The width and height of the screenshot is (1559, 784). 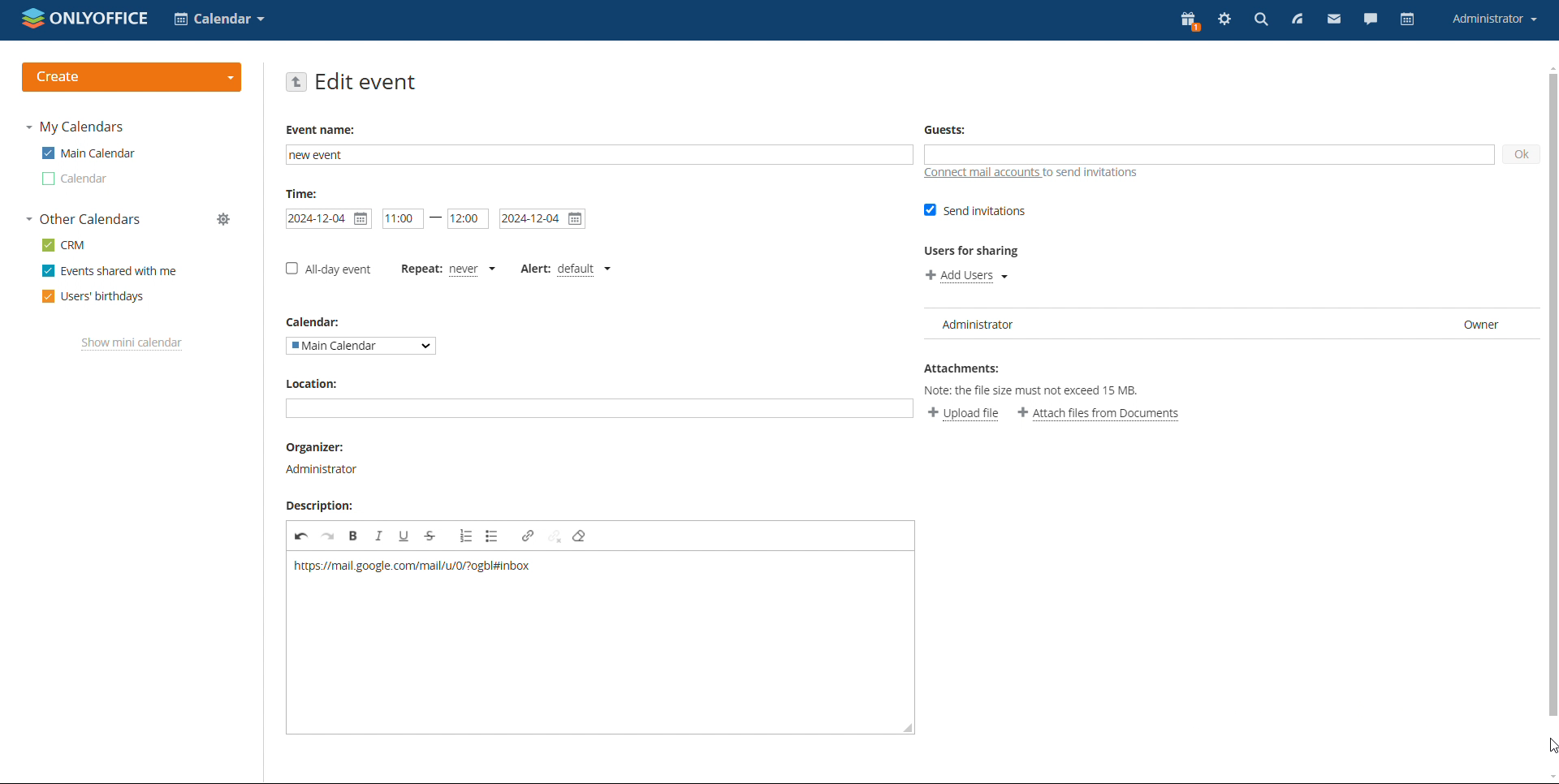 I want to click on create, so click(x=132, y=77).